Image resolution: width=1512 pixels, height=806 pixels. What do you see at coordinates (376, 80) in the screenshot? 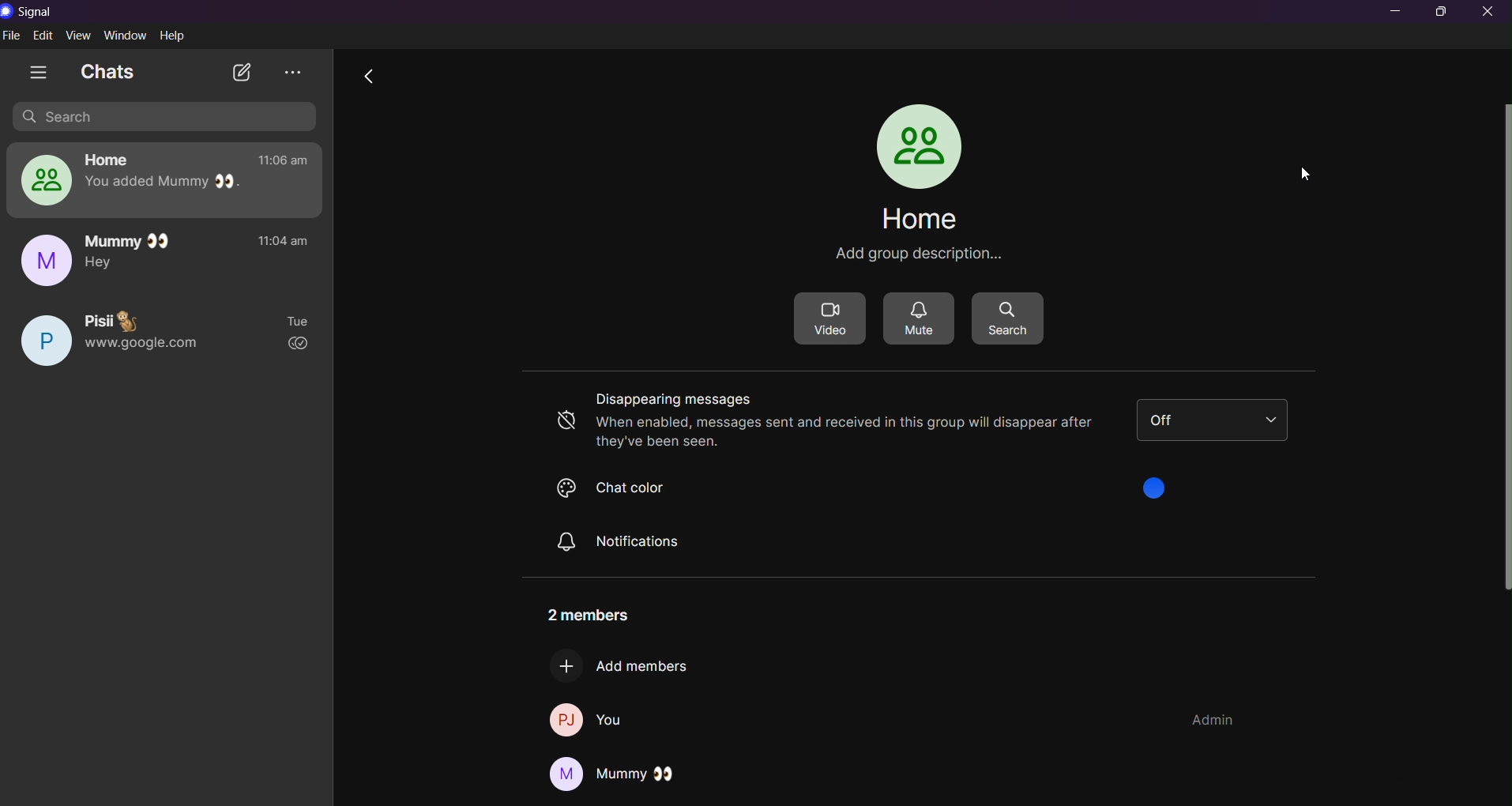
I see `go back` at bounding box center [376, 80].